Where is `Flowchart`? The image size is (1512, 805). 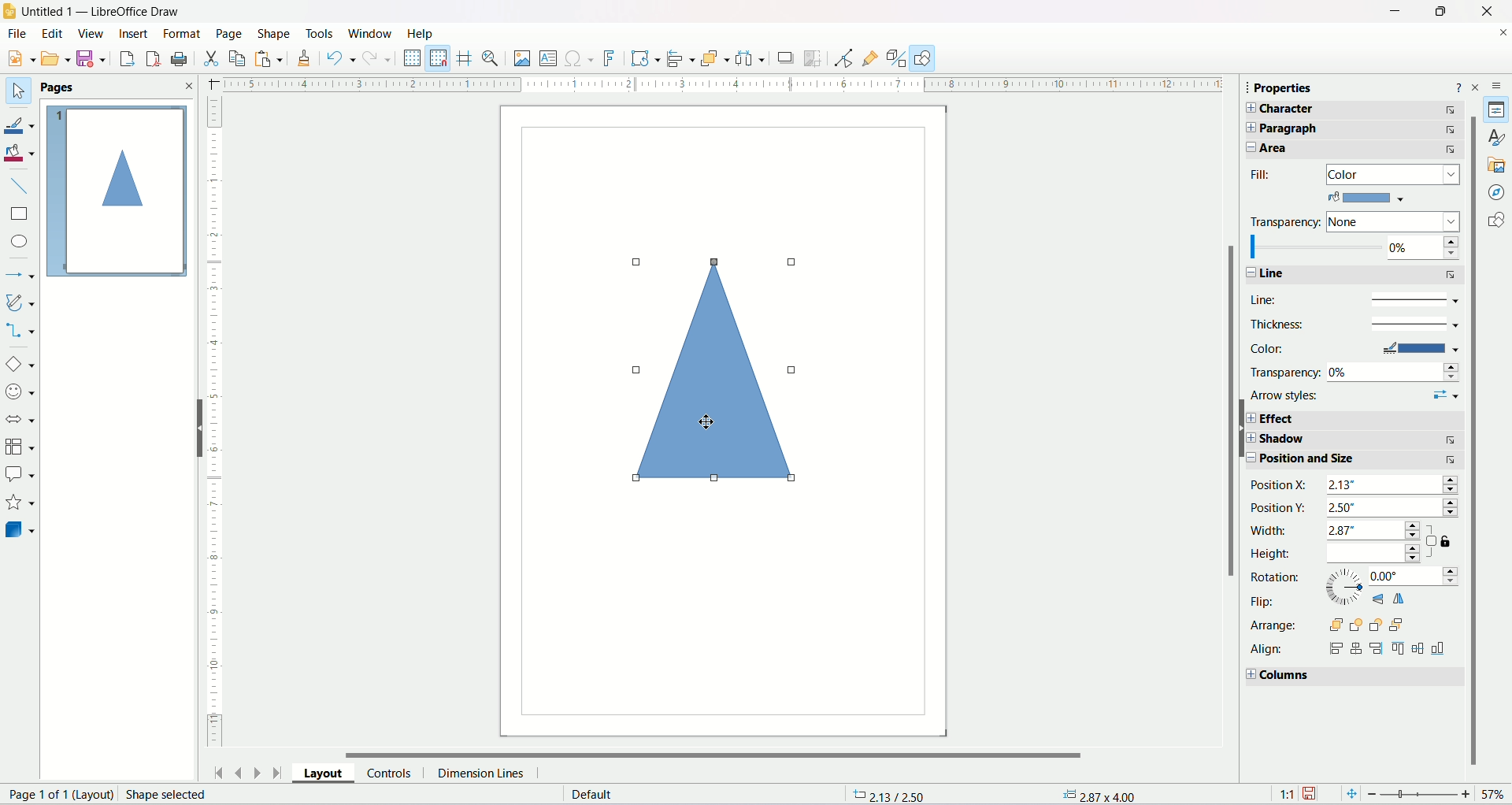
Flowchart is located at coordinates (20, 444).